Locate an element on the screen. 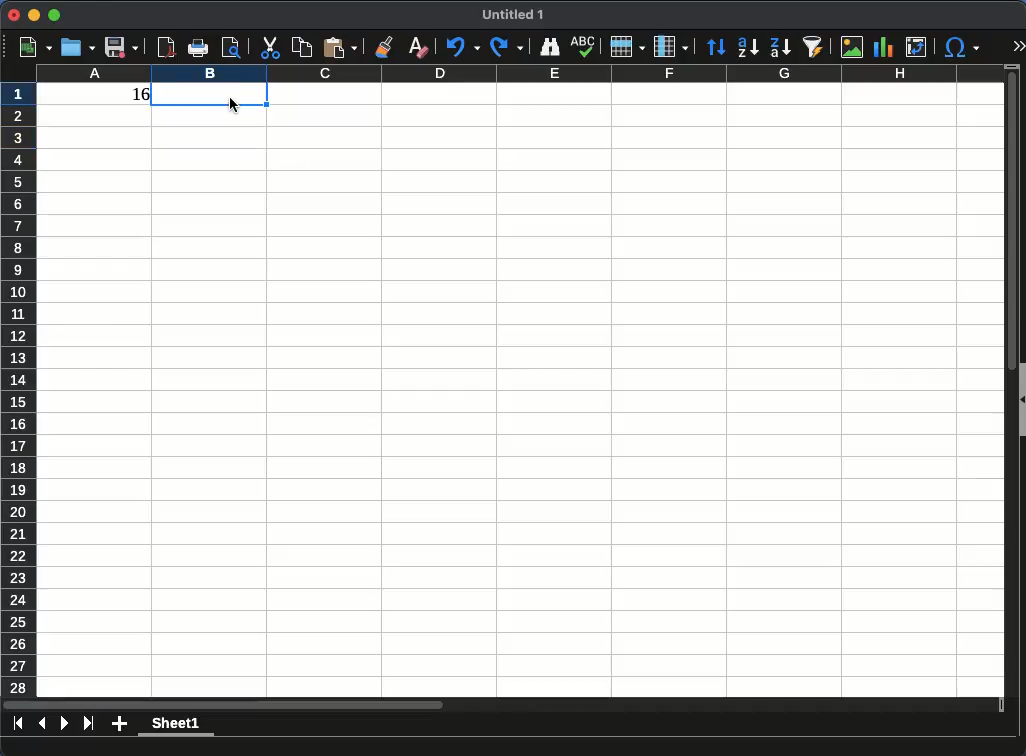 The width and height of the screenshot is (1026, 756). print is located at coordinates (198, 49).